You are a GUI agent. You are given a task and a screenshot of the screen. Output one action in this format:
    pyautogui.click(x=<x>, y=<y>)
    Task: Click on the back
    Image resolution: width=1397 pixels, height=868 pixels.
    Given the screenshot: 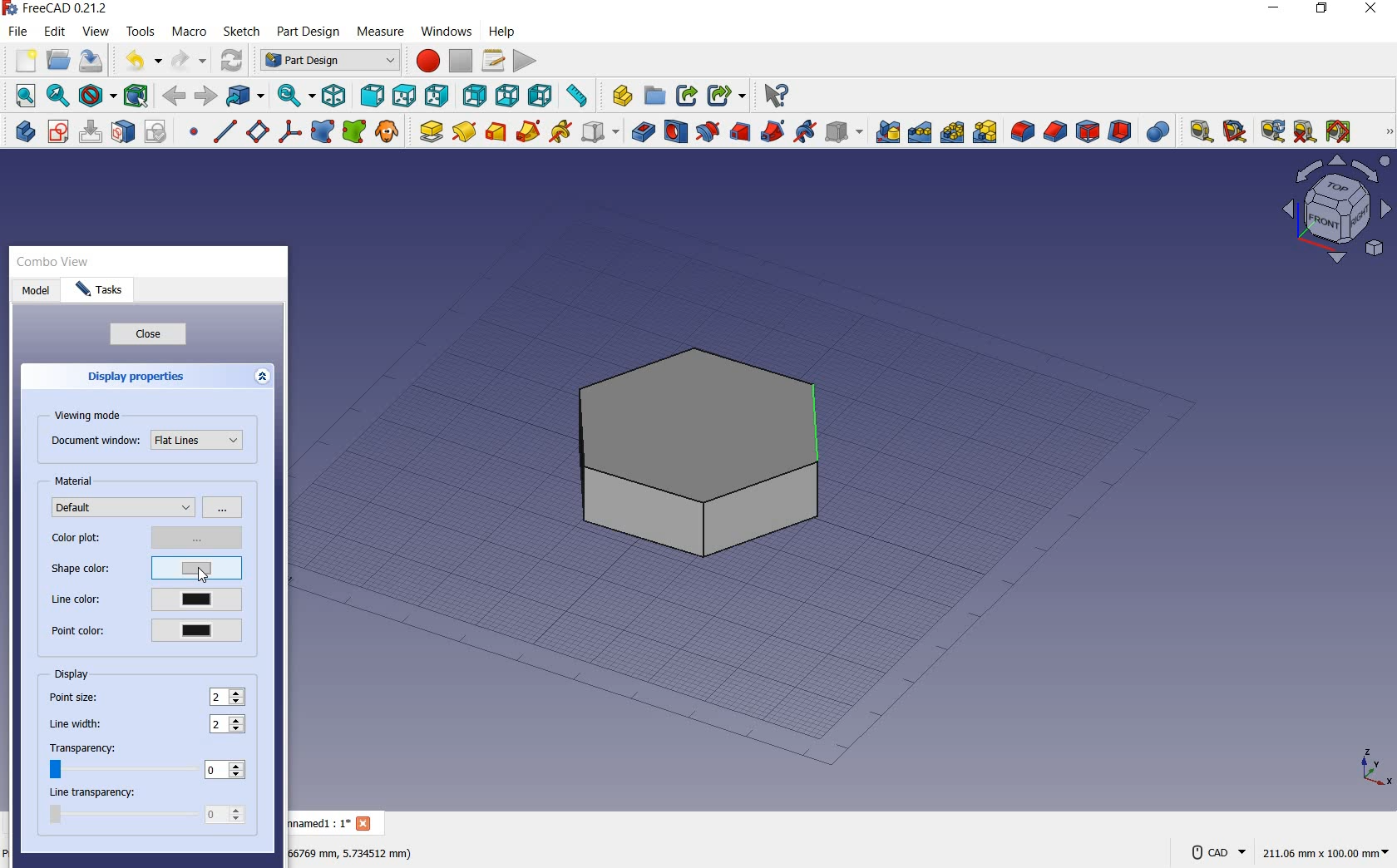 What is the action you would take?
    pyautogui.click(x=175, y=96)
    